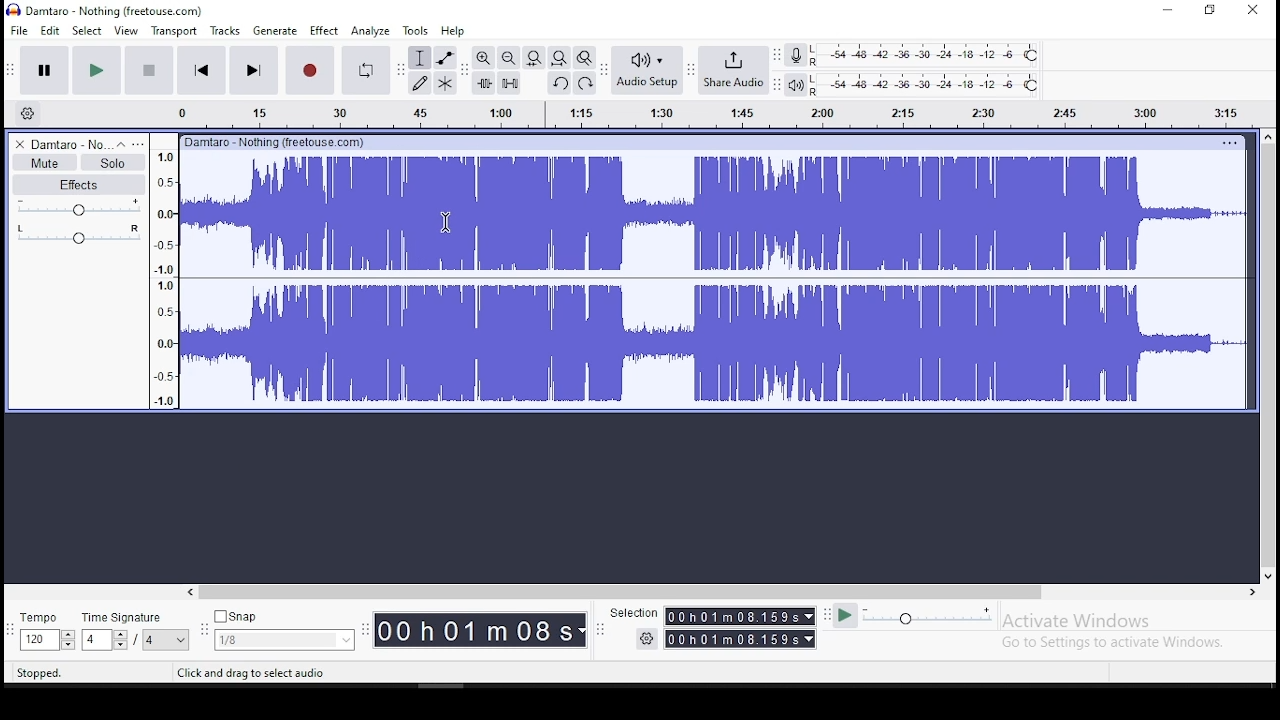  I want to click on effects, so click(78, 184).